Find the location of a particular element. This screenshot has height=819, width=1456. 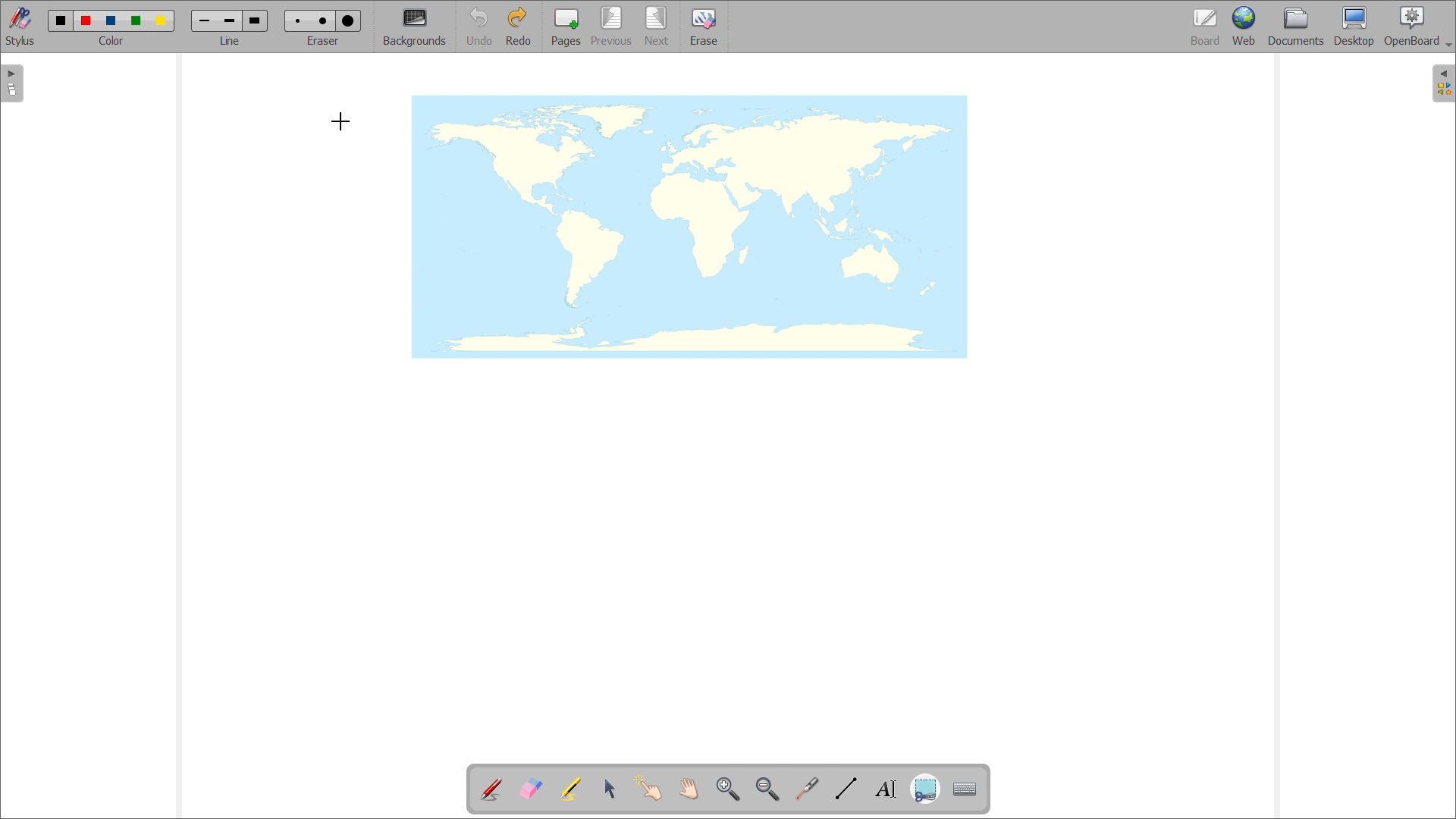

next page is located at coordinates (657, 26).